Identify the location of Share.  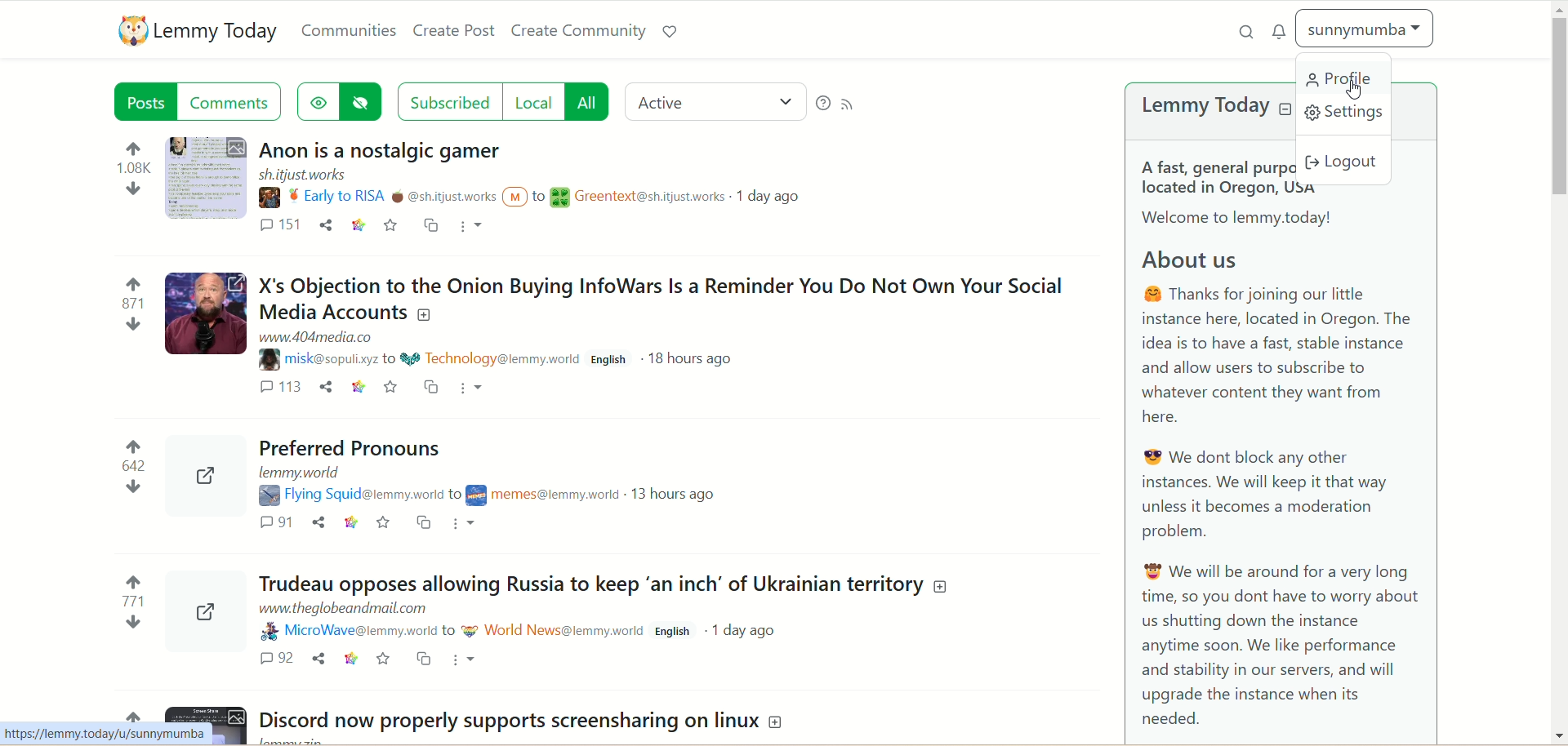
(327, 386).